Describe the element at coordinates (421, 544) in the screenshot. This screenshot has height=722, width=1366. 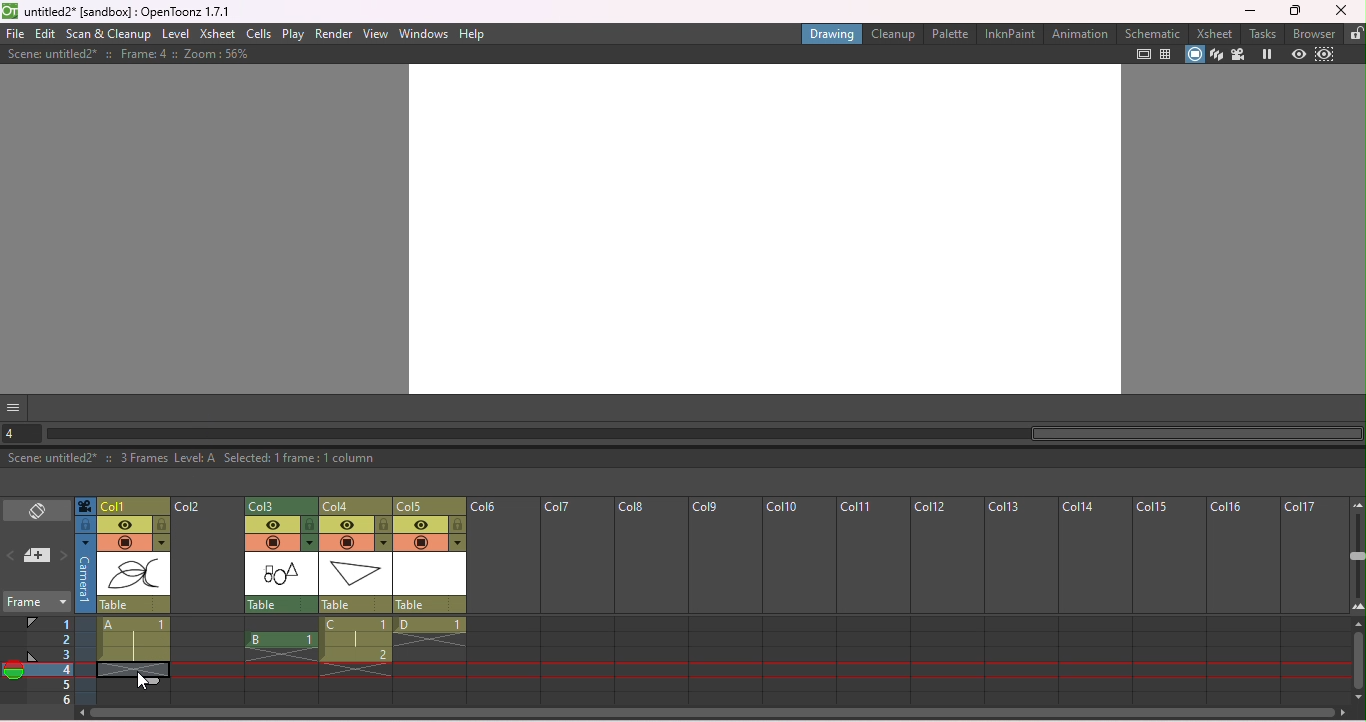
I see `camera stand visibility toggle` at that location.